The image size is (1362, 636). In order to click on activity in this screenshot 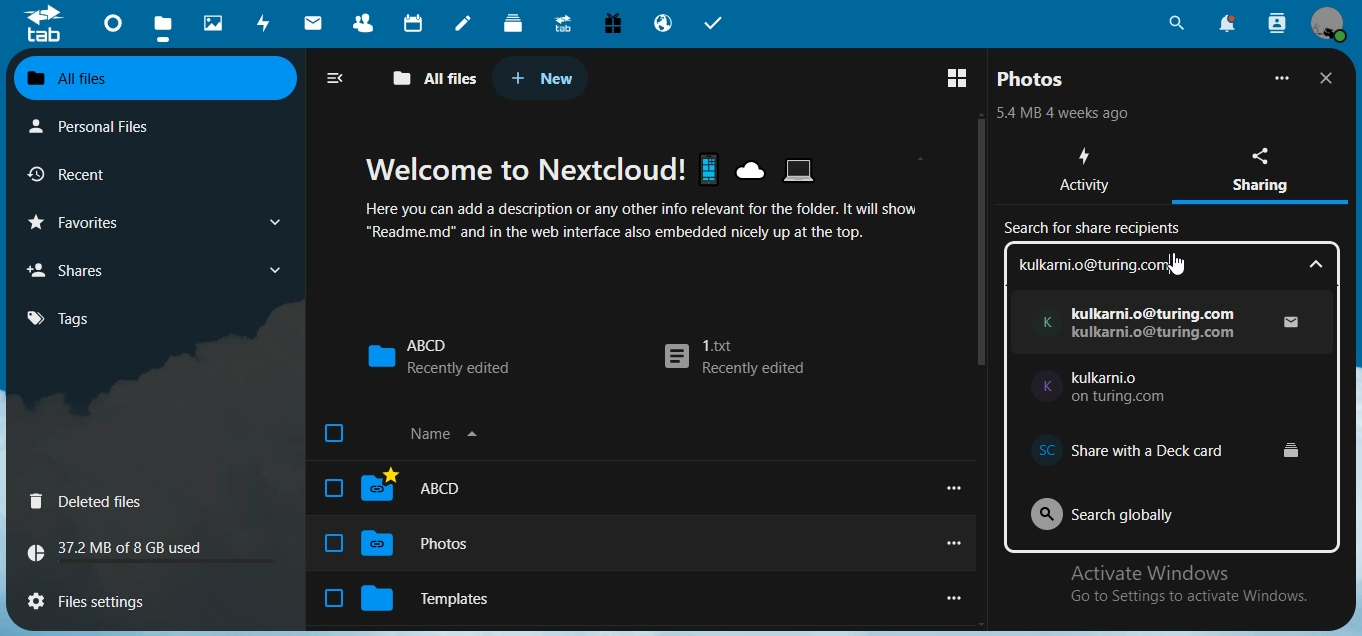, I will do `click(268, 23)`.